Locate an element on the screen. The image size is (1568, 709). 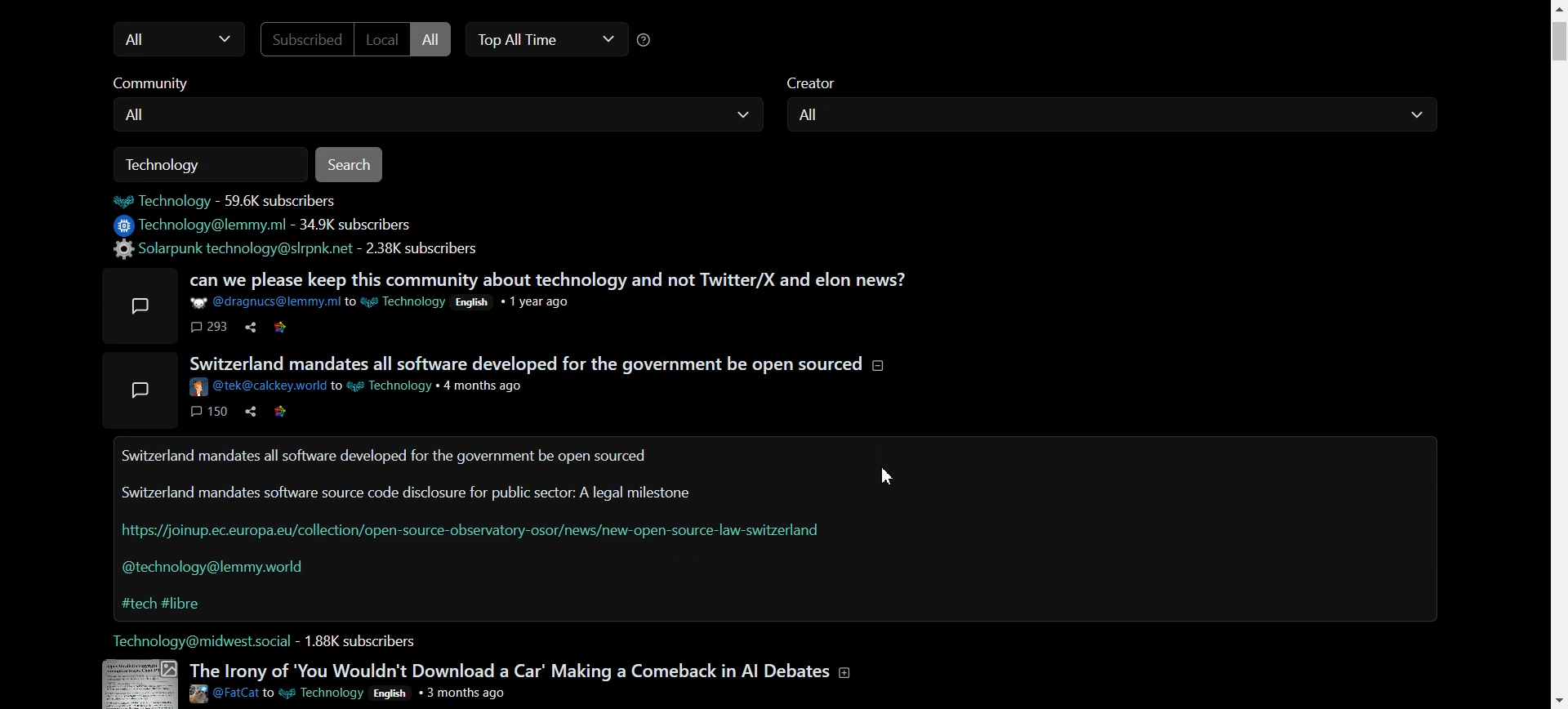
Creator is located at coordinates (817, 84).